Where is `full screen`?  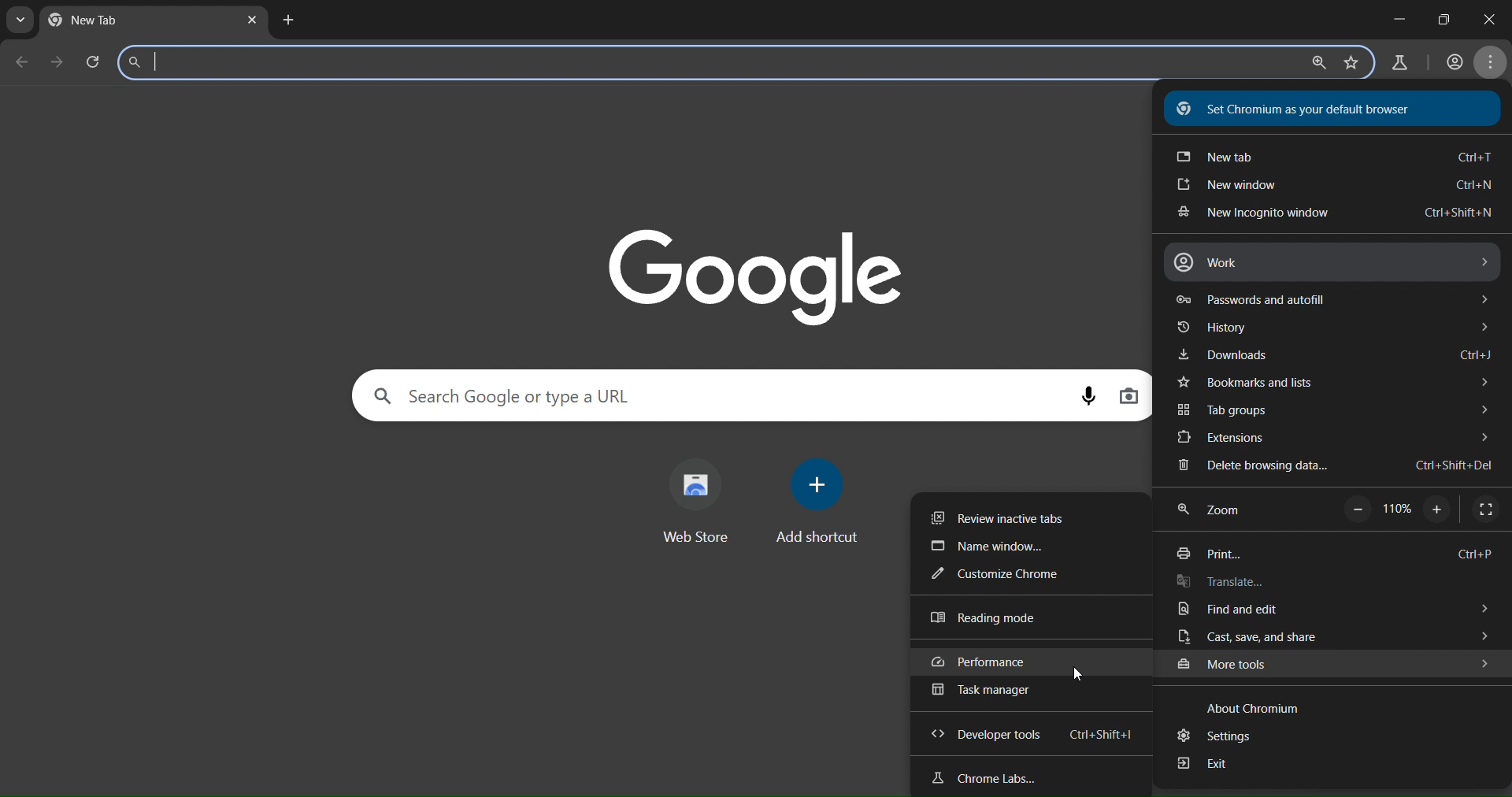
full screen is located at coordinates (1485, 509).